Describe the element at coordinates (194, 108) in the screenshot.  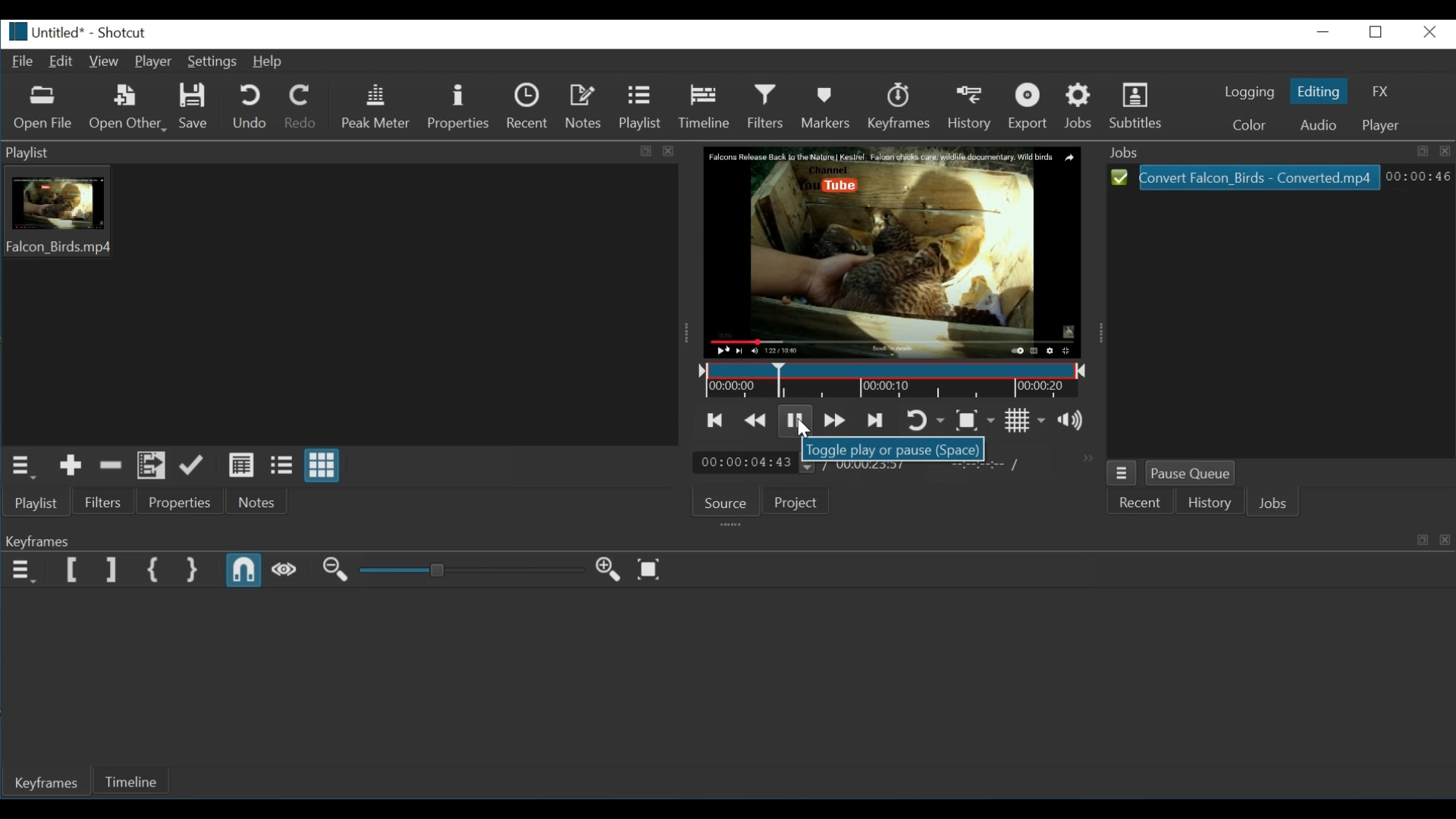
I see `Save` at that location.